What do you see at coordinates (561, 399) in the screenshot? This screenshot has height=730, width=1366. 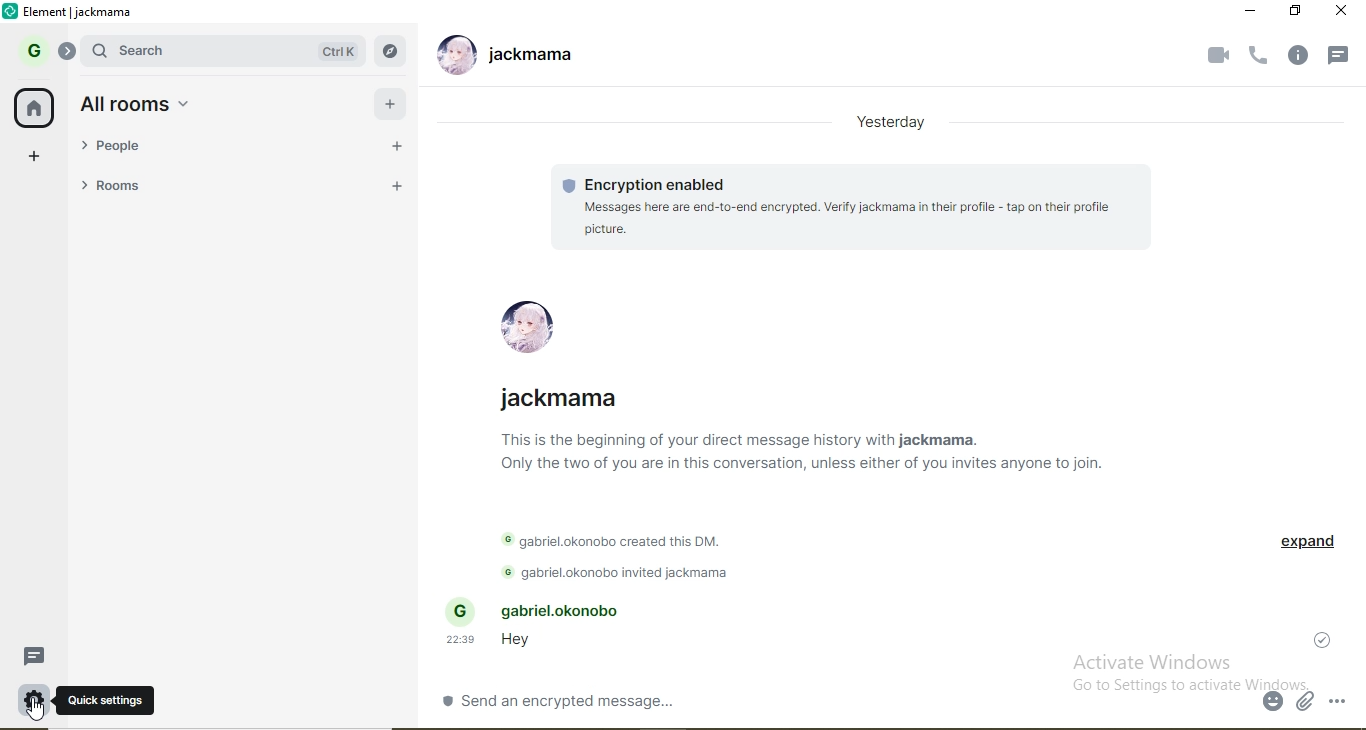 I see `jackmama` at bounding box center [561, 399].